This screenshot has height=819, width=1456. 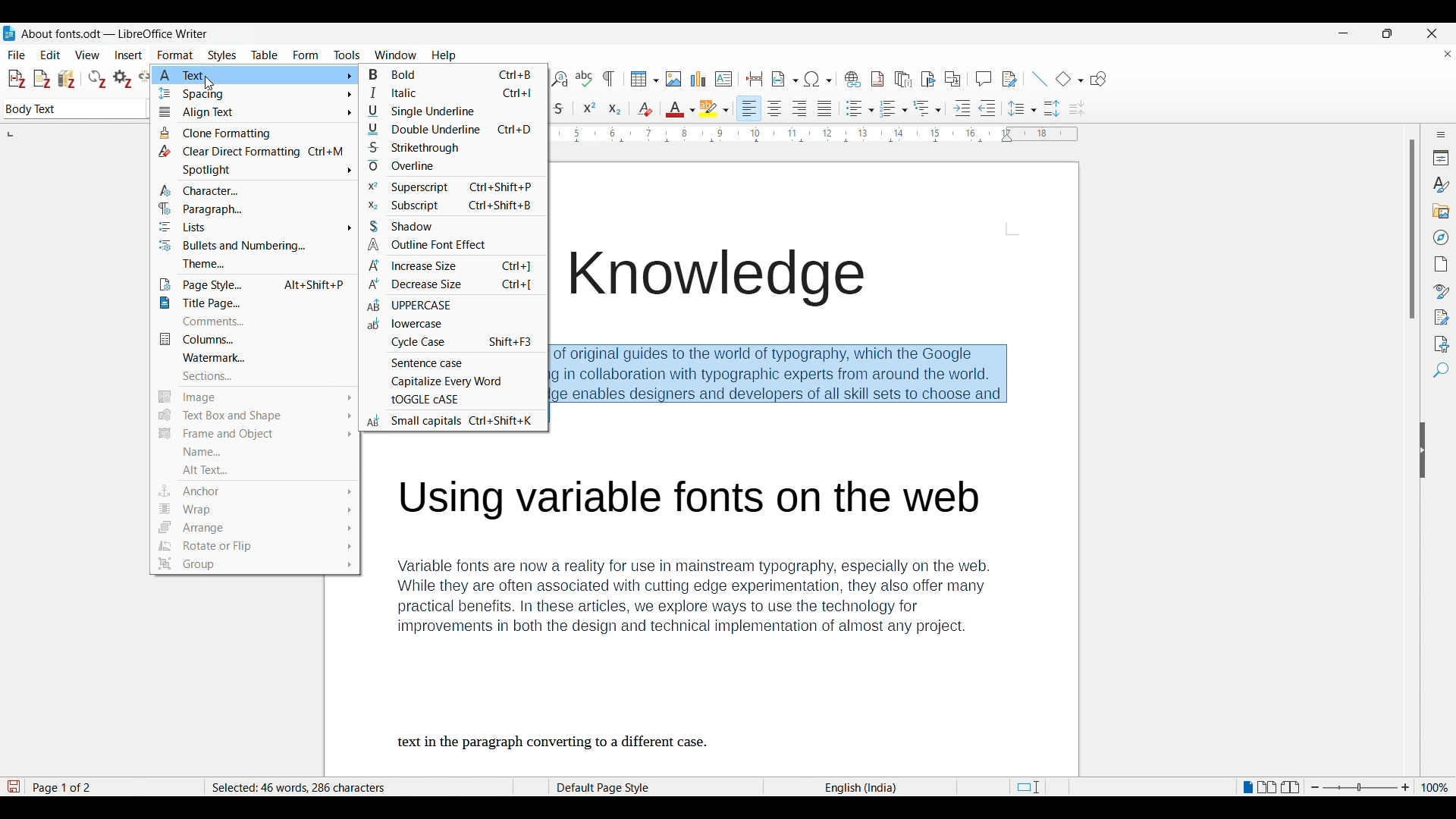 What do you see at coordinates (733, 279) in the screenshot?
I see `Font knowledge` at bounding box center [733, 279].